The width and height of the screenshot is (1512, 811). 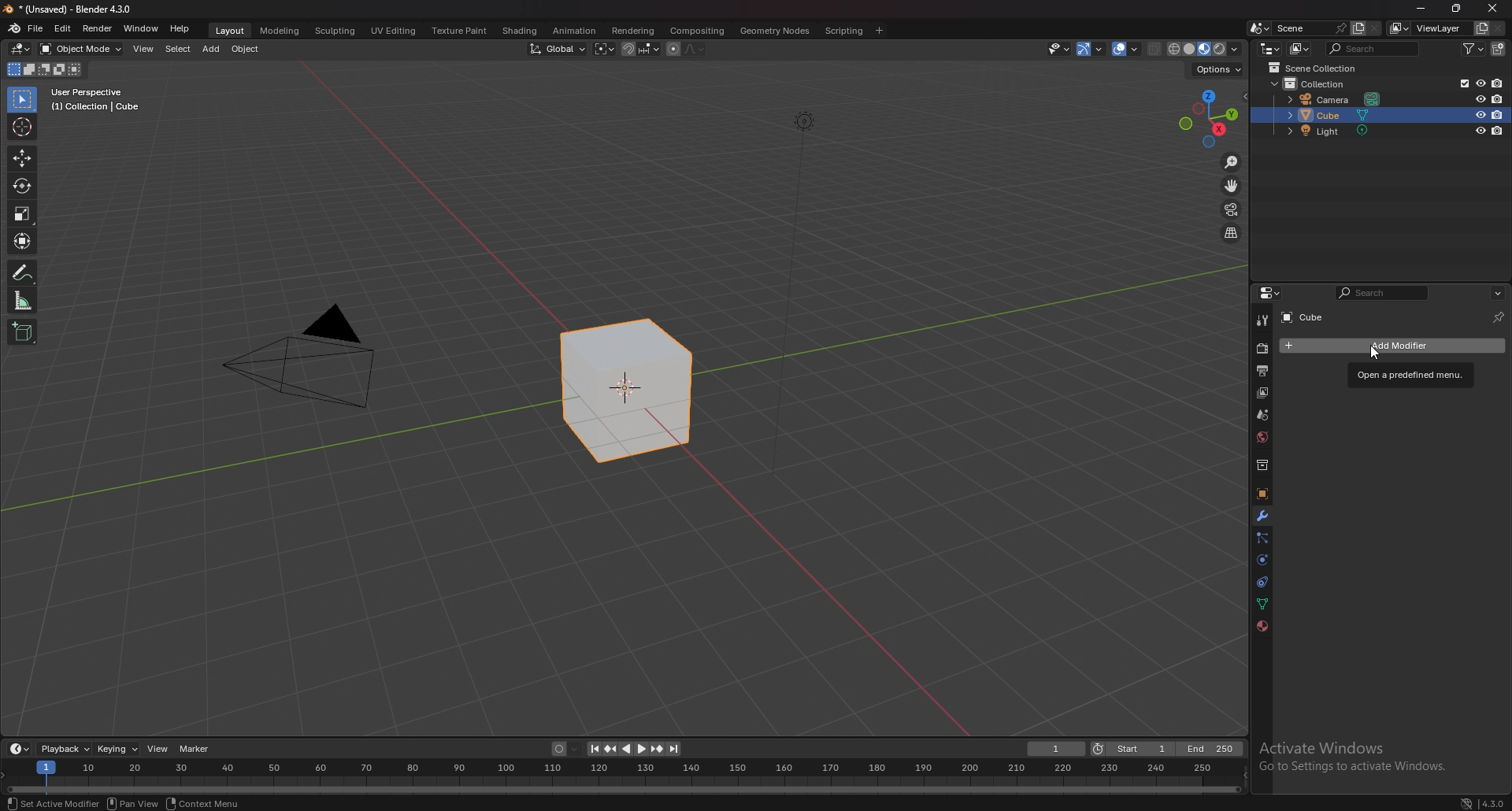 I want to click on light, so click(x=1333, y=131).